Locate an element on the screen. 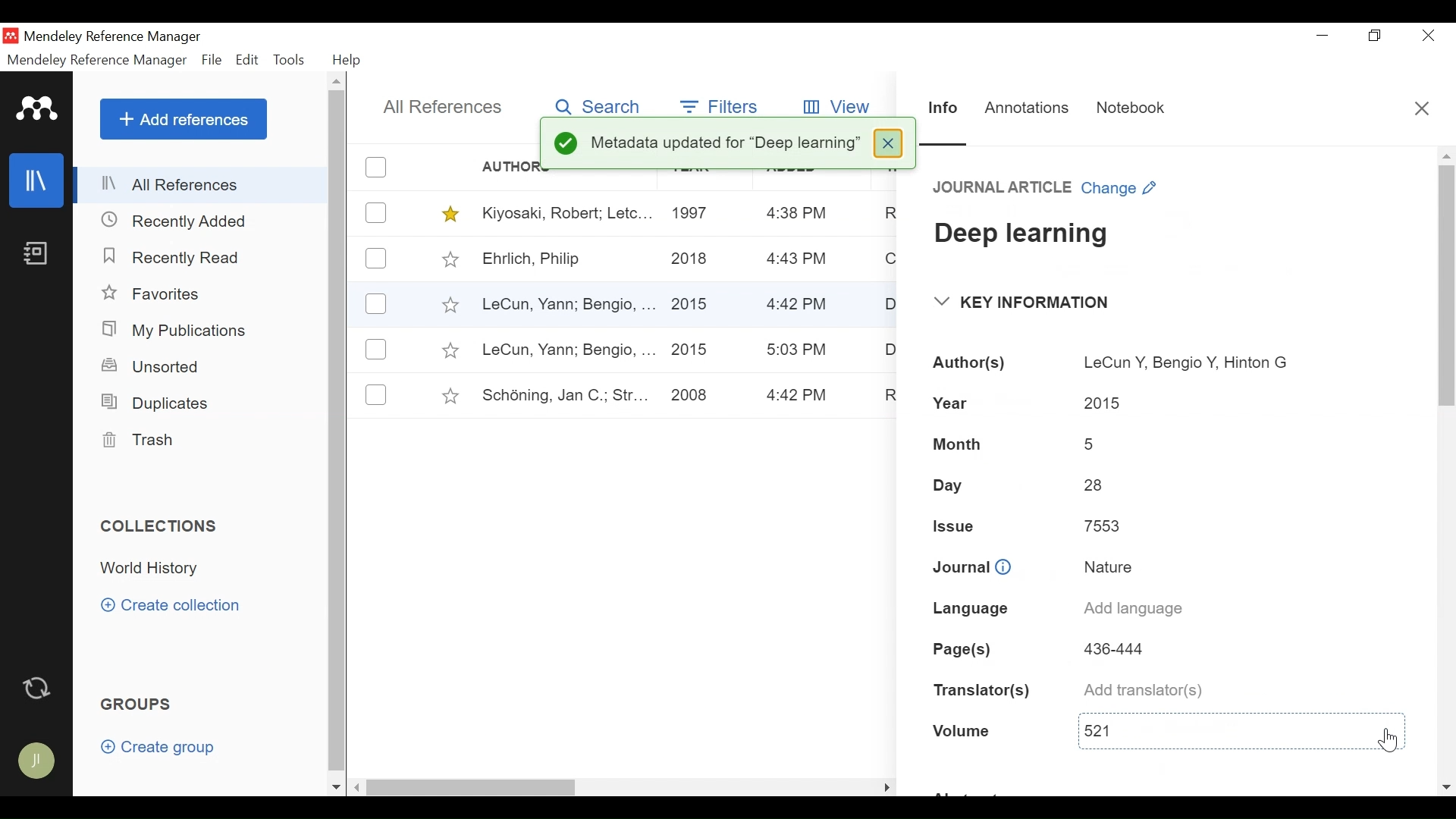  Time is located at coordinates (798, 259).